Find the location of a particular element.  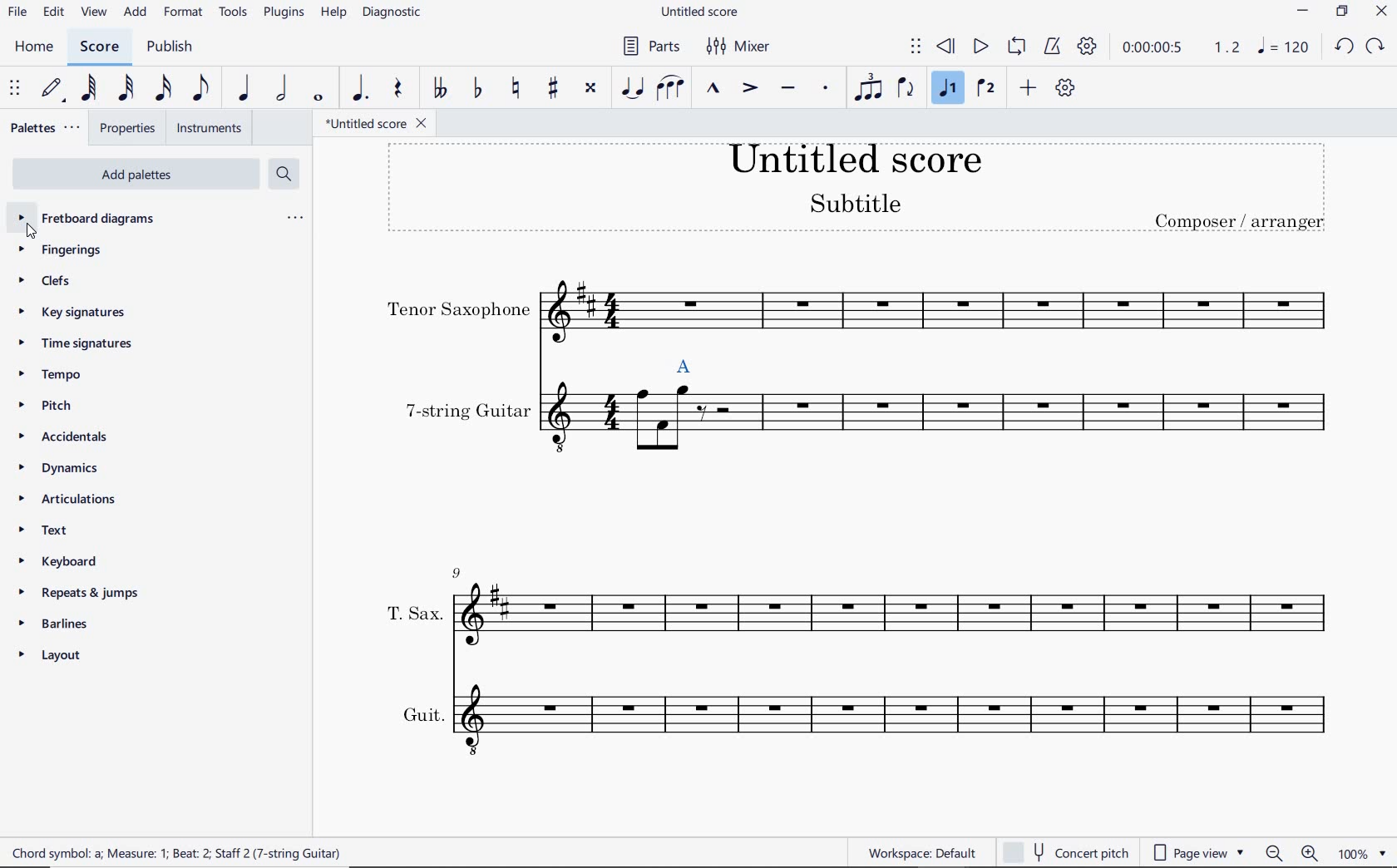

ellipsis is located at coordinates (294, 218).